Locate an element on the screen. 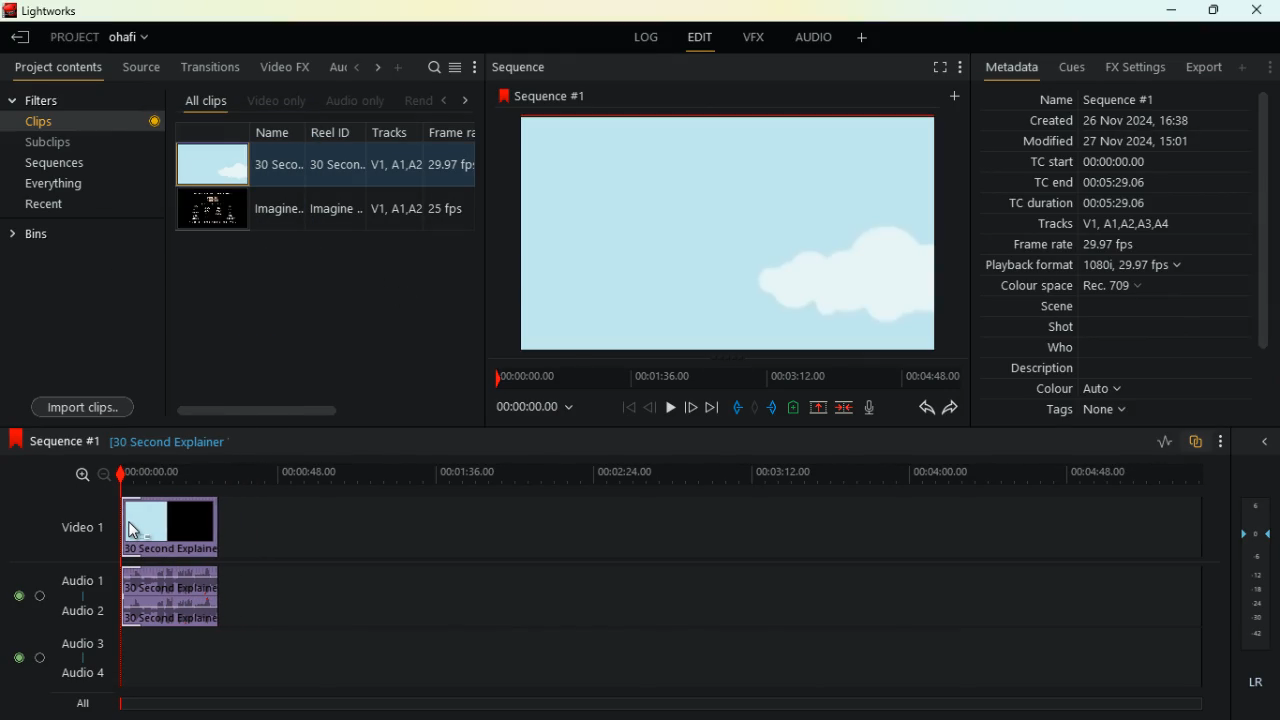  tc end 00:05:29:06 is located at coordinates (1093, 182).